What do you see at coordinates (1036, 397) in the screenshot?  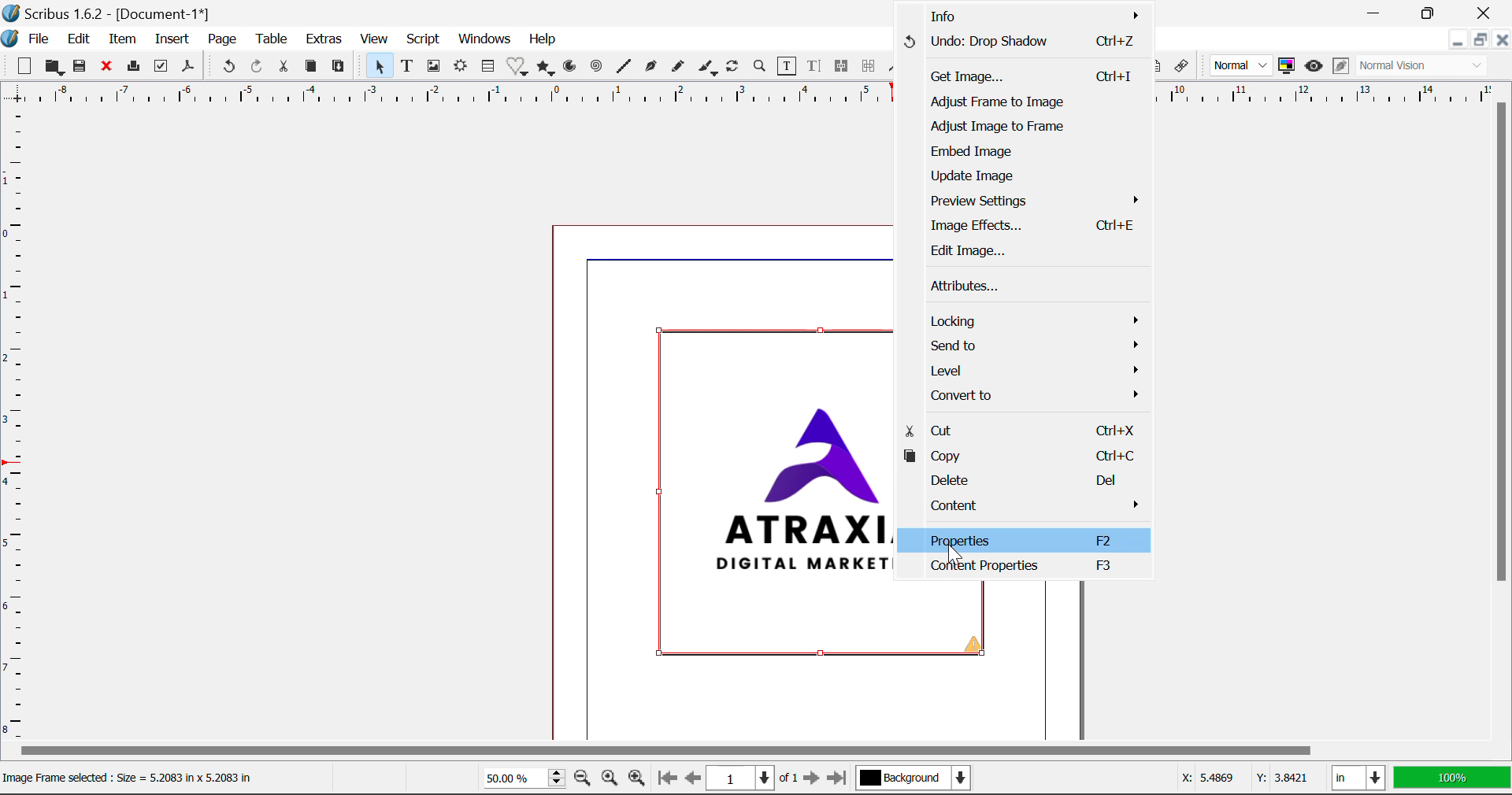 I see `Convert to` at bounding box center [1036, 397].